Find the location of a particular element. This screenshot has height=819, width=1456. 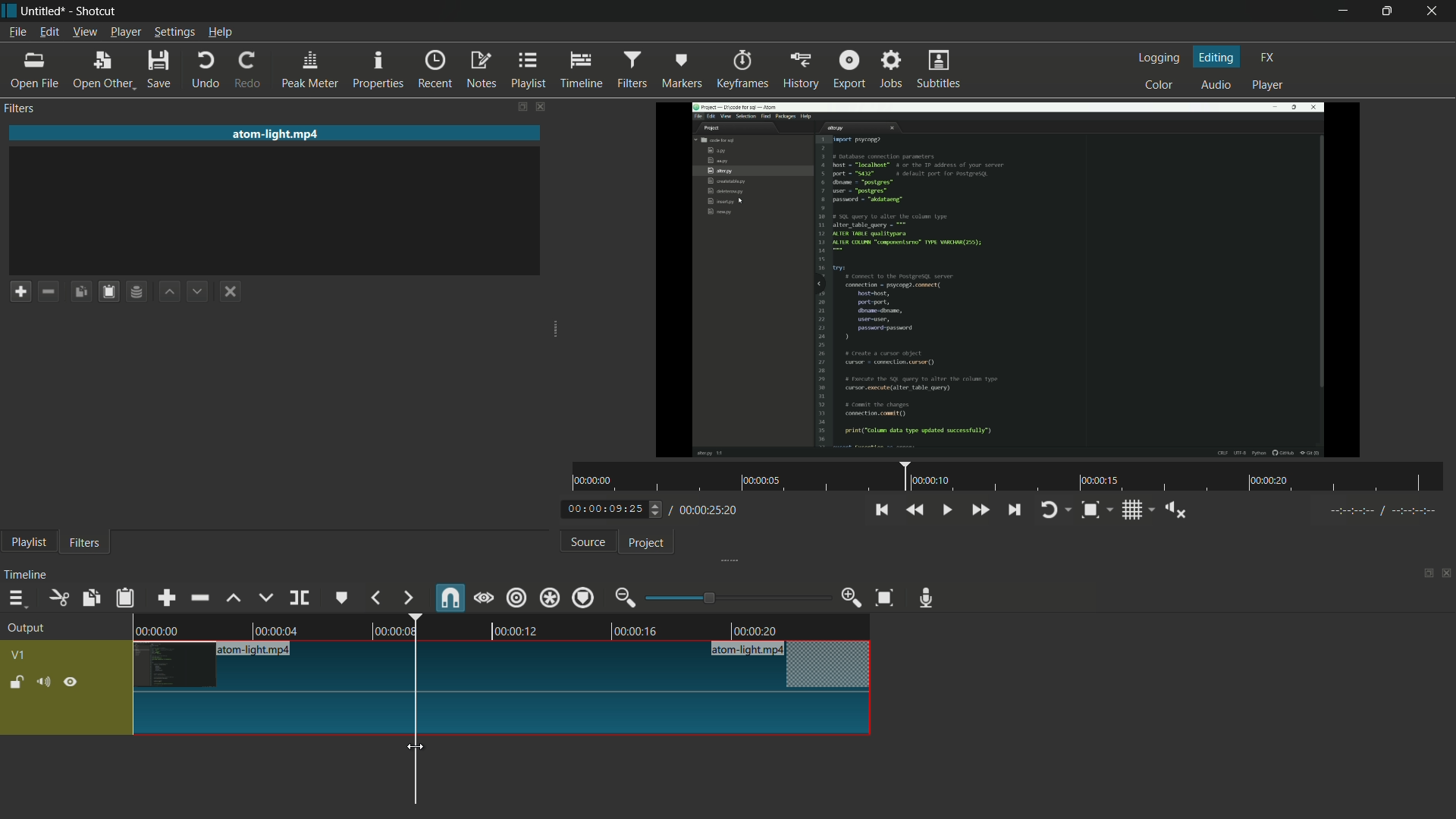

maximize is located at coordinates (1390, 11).